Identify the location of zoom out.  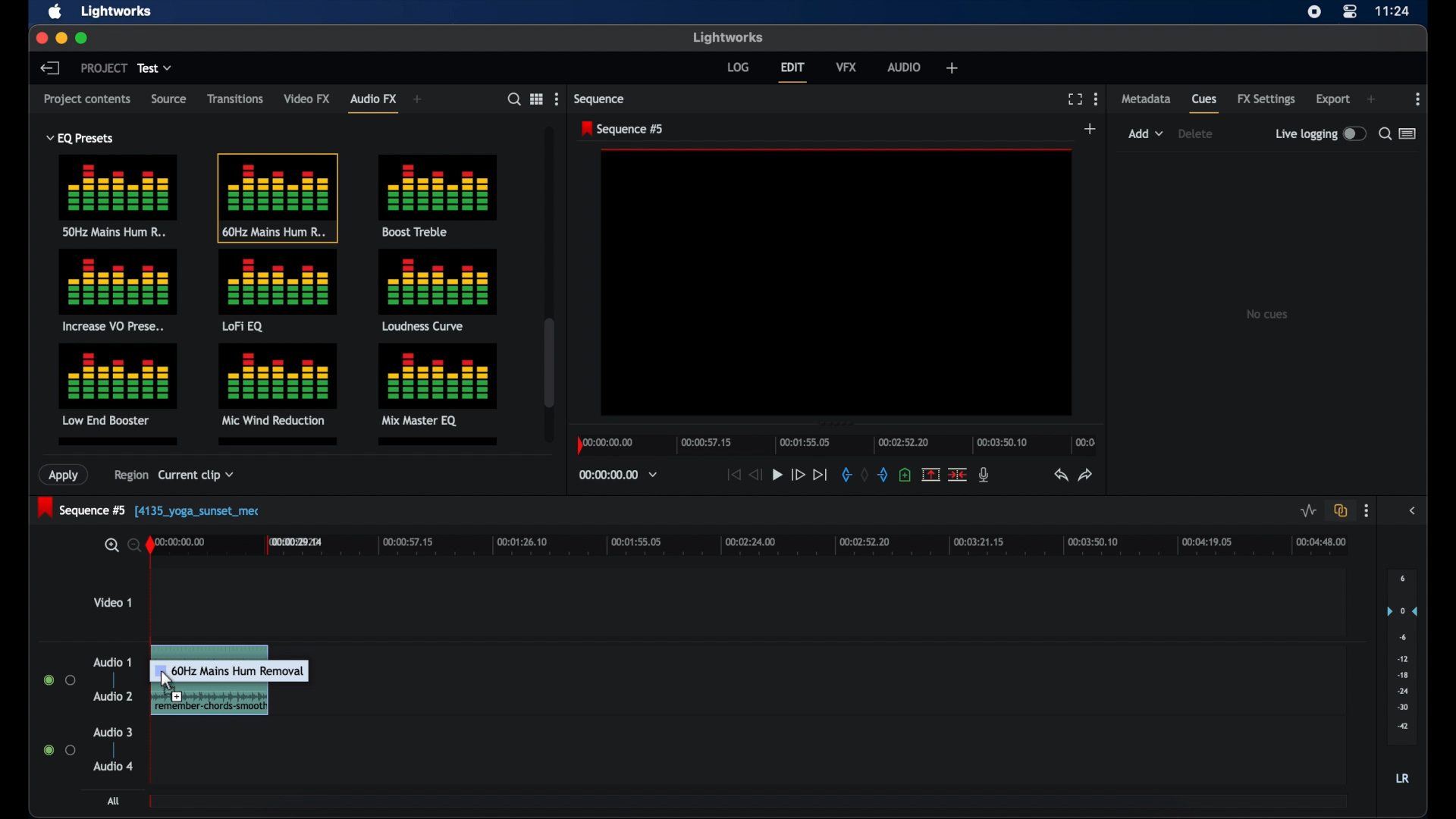
(131, 544).